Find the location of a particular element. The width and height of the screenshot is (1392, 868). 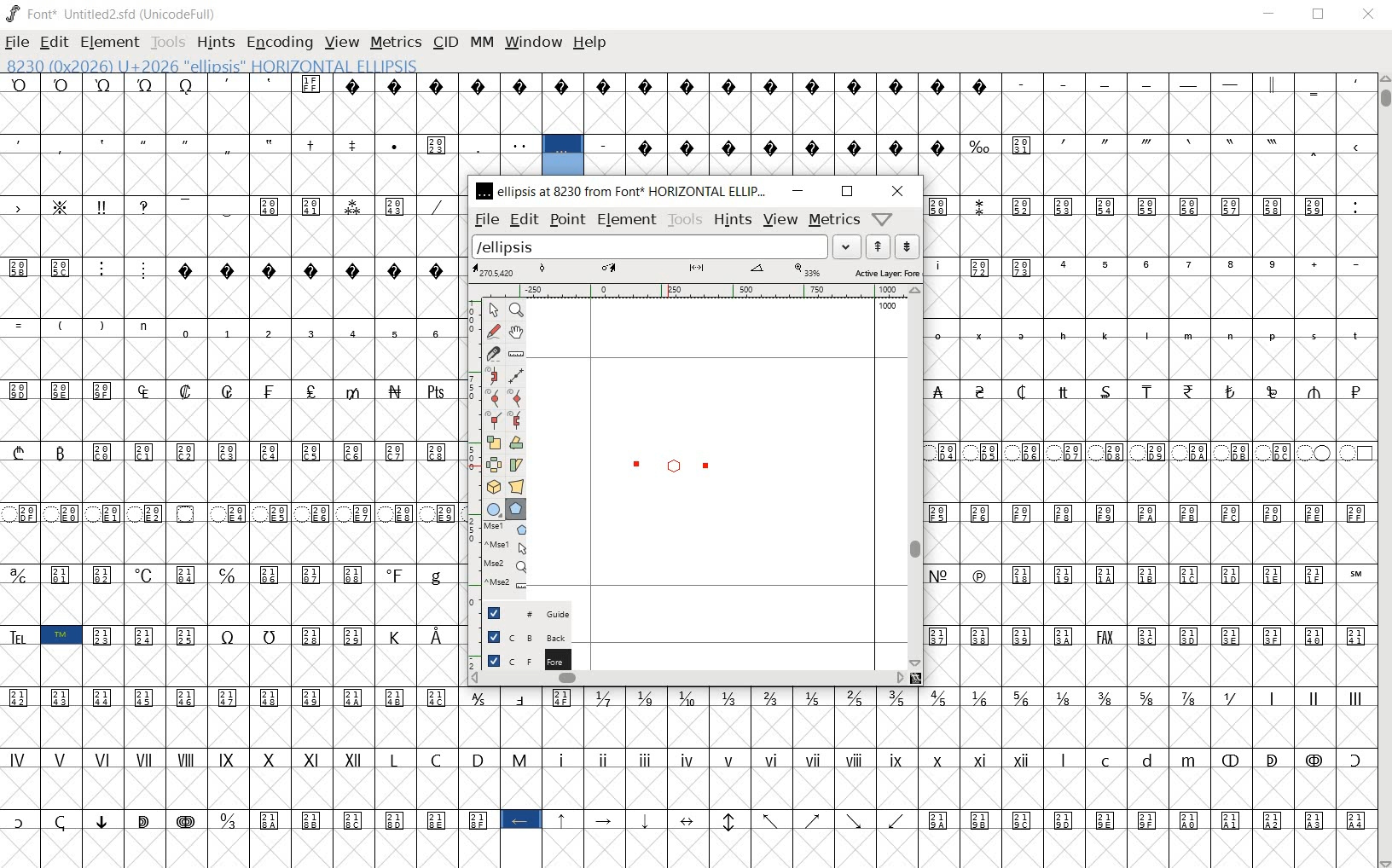

SCROLLBAR is located at coordinates (1383, 471).